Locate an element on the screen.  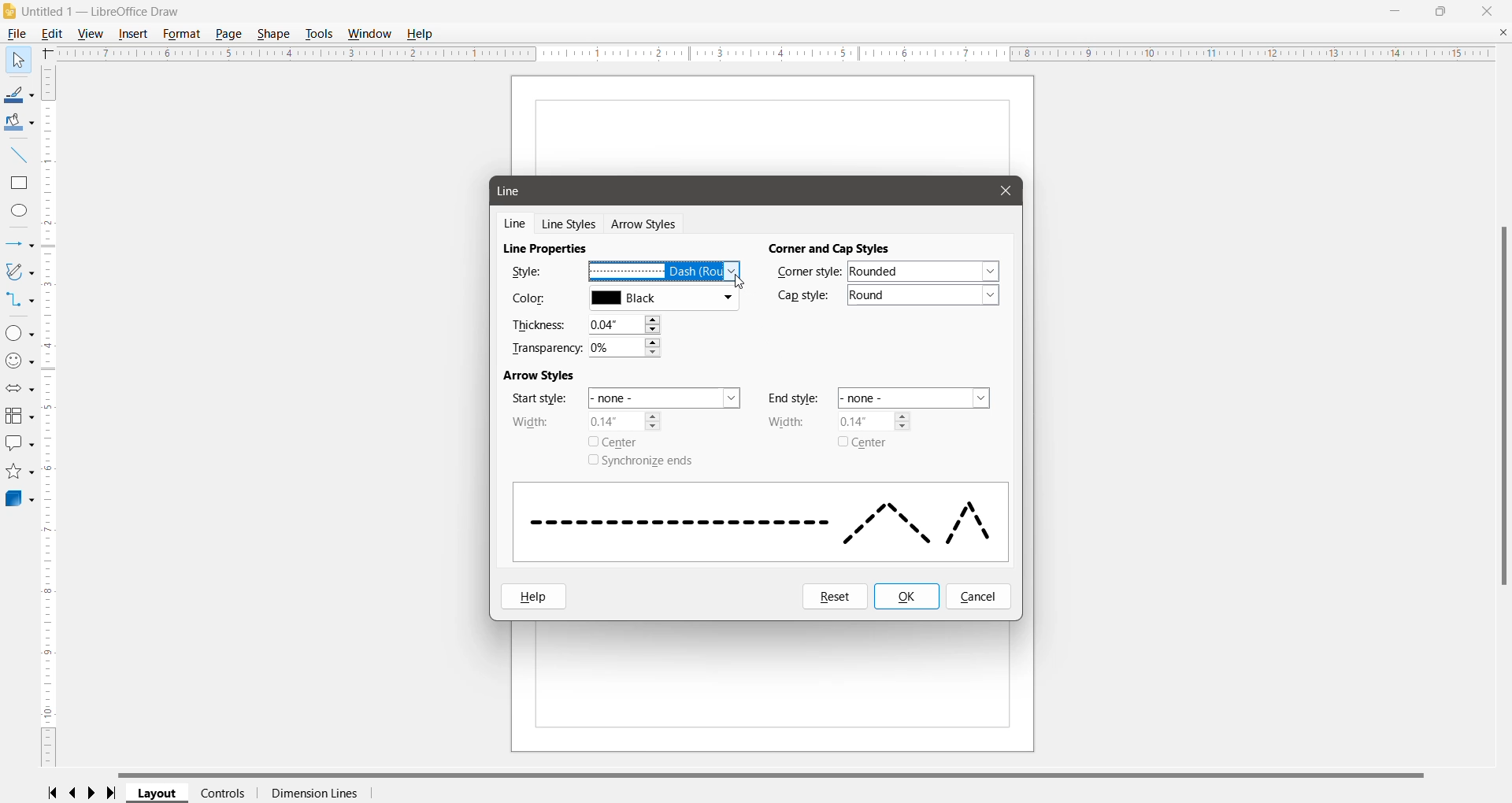
 is located at coordinates (876, 422).